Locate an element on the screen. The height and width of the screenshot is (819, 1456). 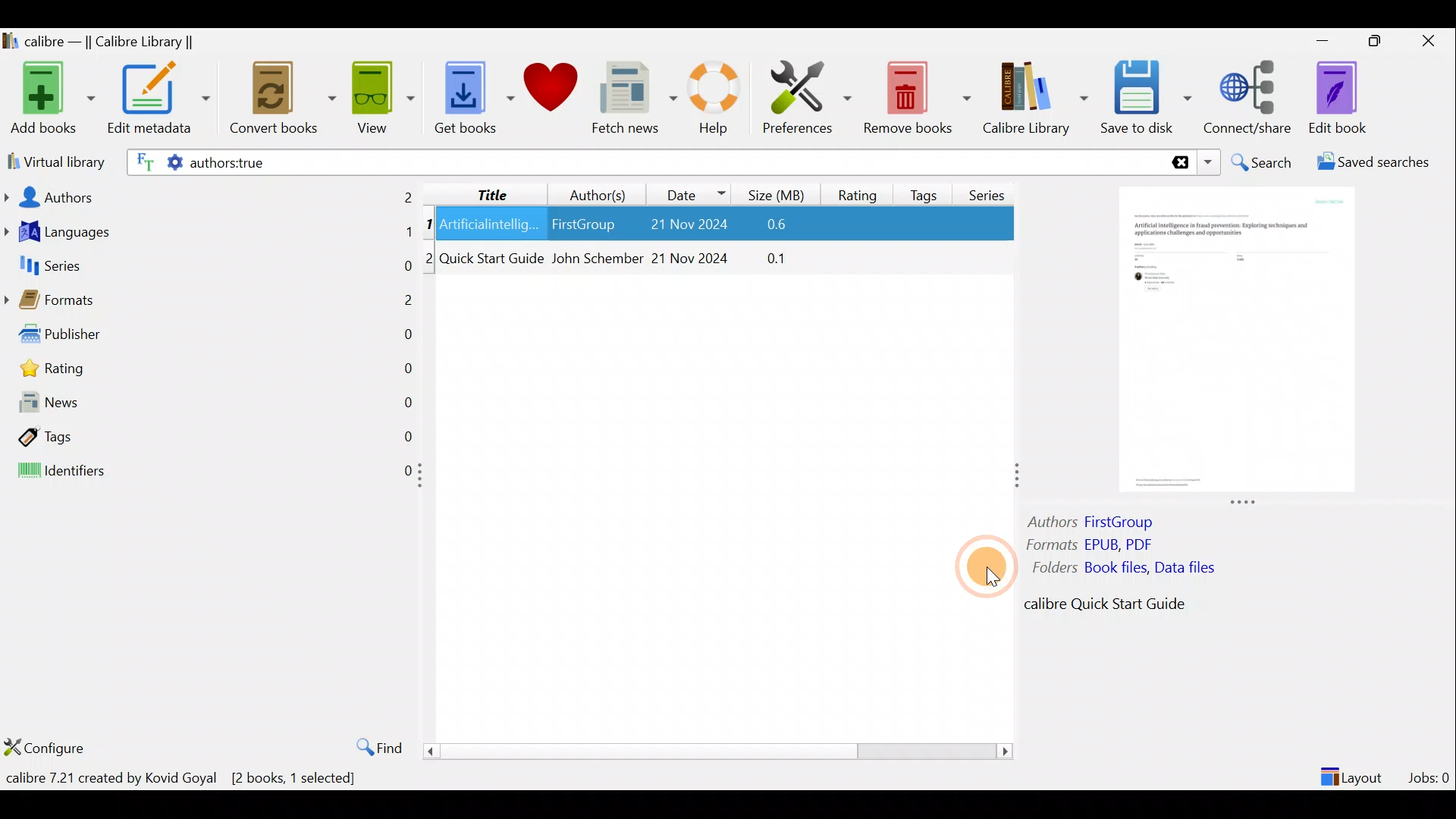
Folder: Book files, Data Files is located at coordinates (1120, 567).